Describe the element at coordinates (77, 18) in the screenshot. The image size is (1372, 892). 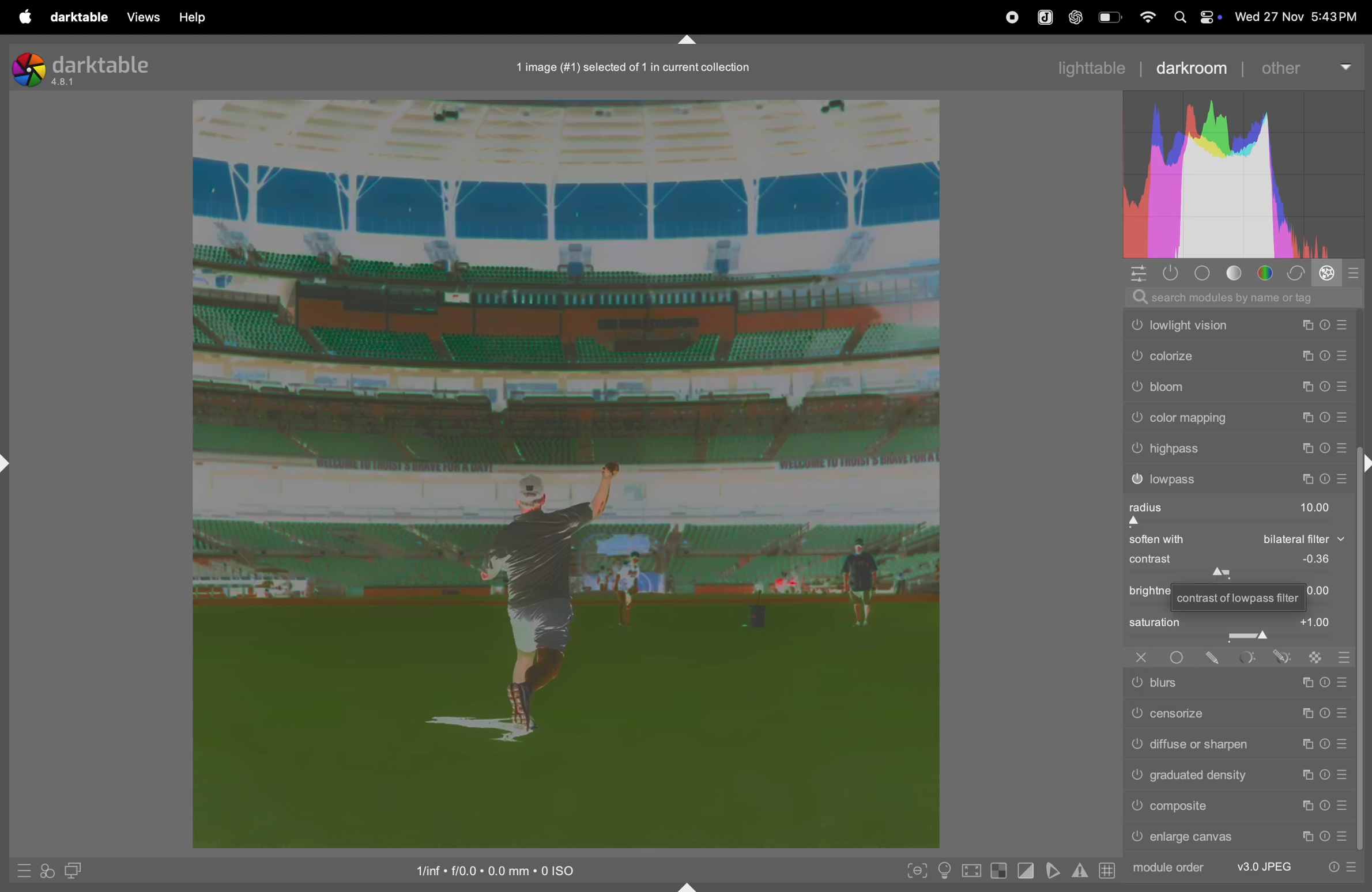
I see `darltable` at that location.